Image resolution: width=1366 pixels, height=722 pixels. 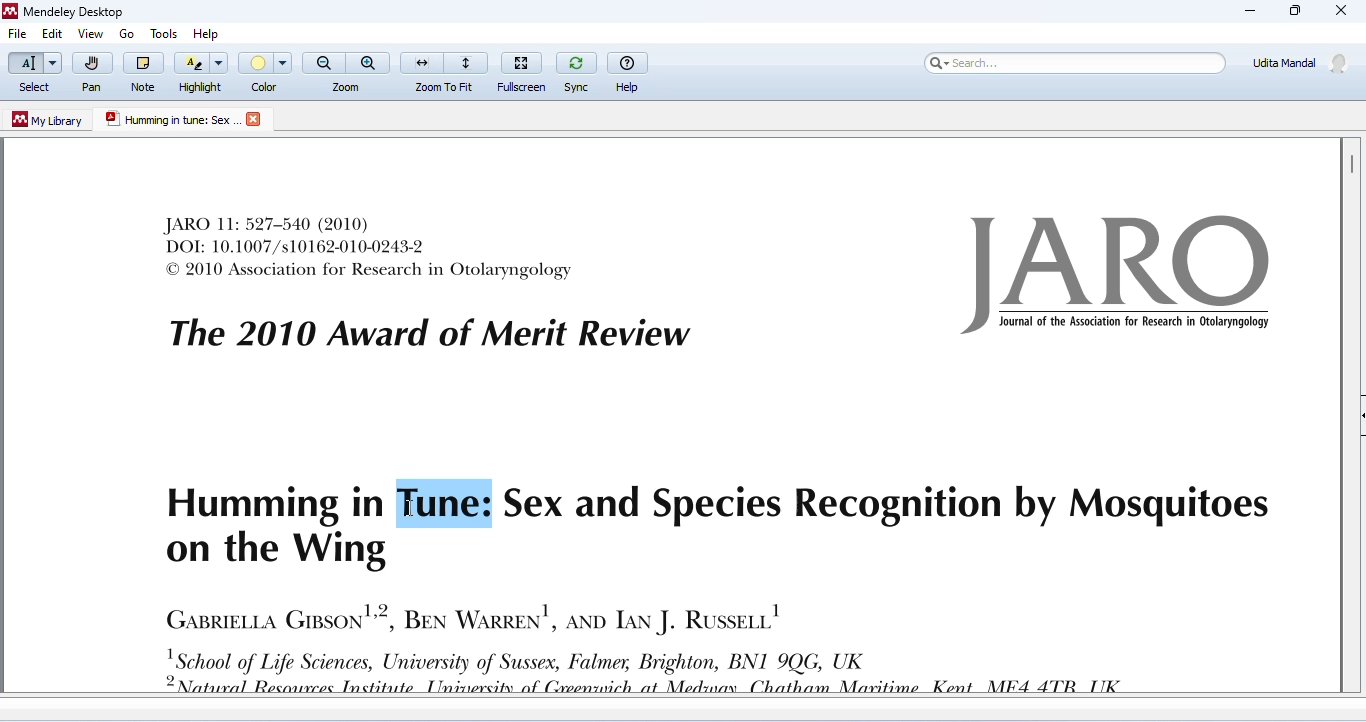 What do you see at coordinates (629, 70) in the screenshot?
I see `help` at bounding box center [629, 70].